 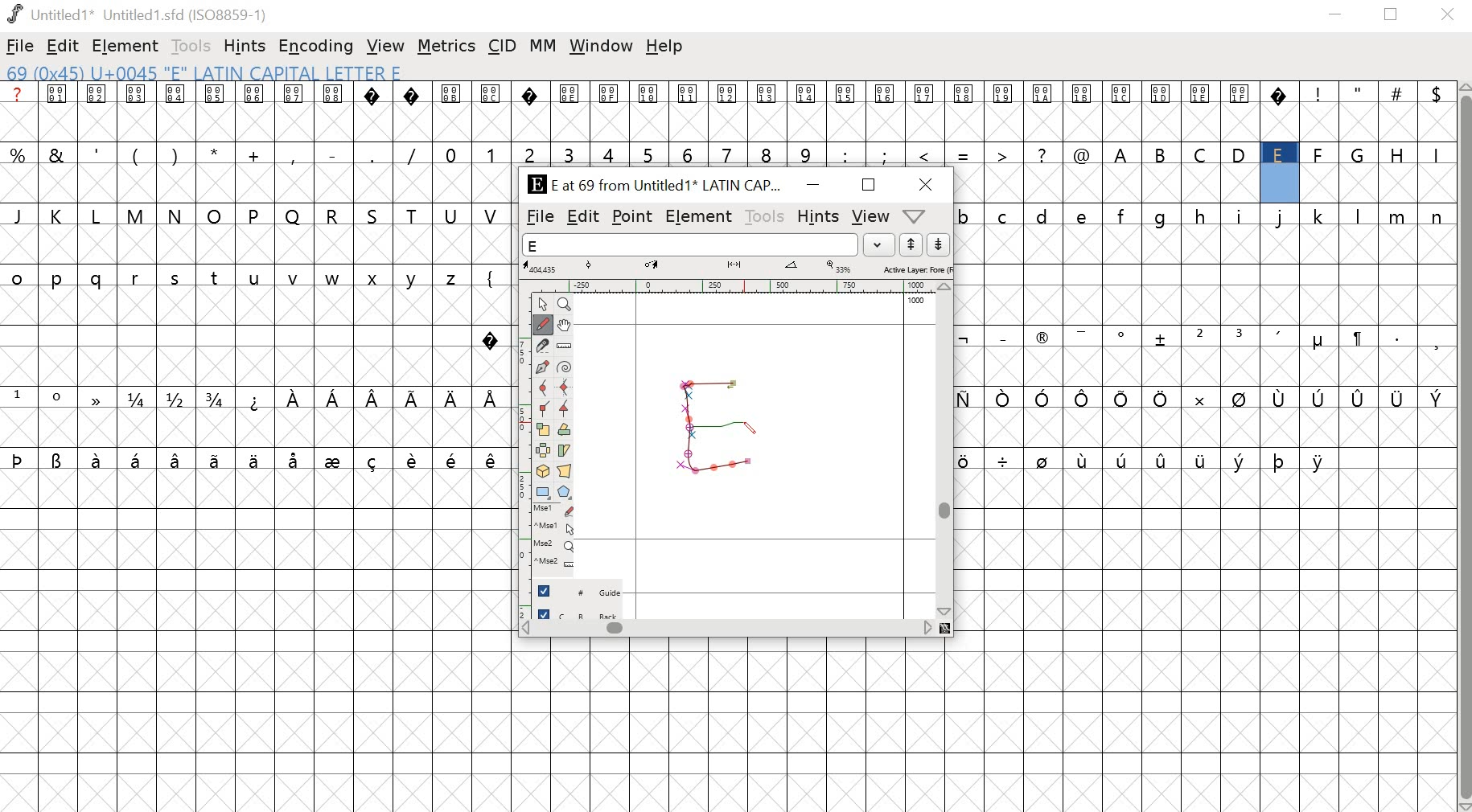 What do you see at coordinates (553, 529) in the screenshot?
I see `Mouse left button + Ctrl` at bounding box center [553, 529].